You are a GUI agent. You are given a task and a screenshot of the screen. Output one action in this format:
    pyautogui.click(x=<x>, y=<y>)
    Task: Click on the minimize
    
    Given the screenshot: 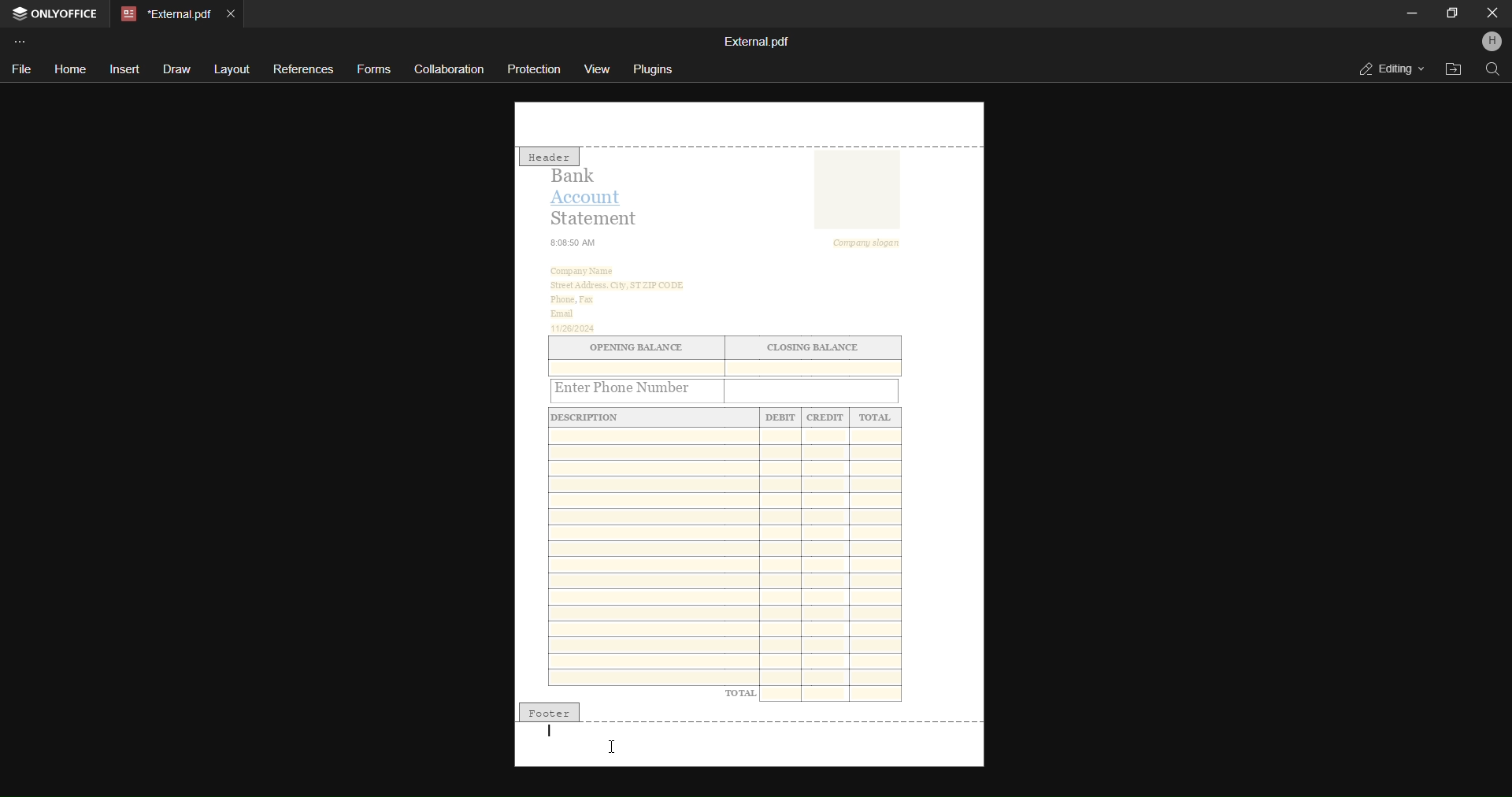 What is the action you would take?
    pyautogui.click(x=1412, y=13)
    